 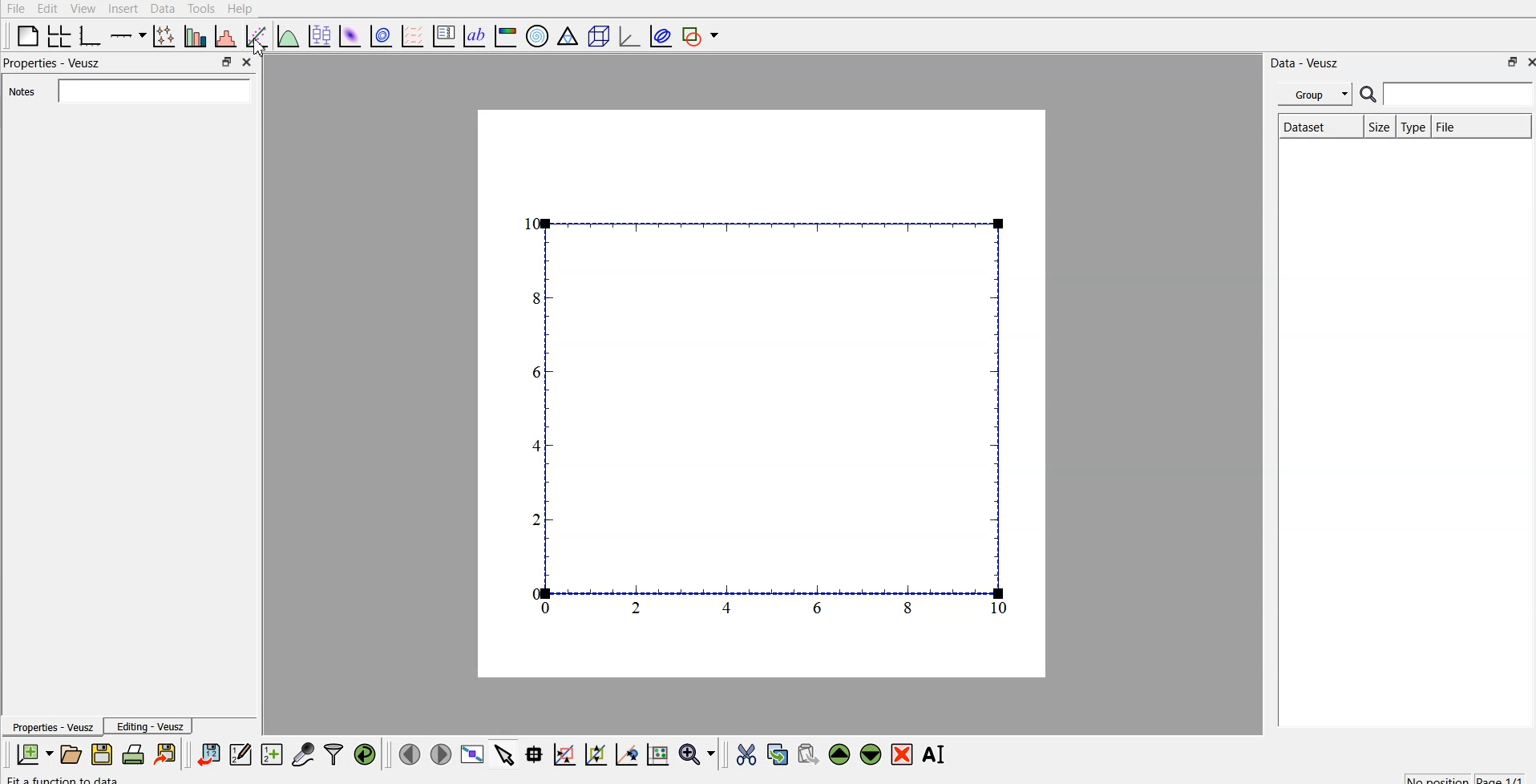 I want to click on insert notes, so click(x=156, y=91).